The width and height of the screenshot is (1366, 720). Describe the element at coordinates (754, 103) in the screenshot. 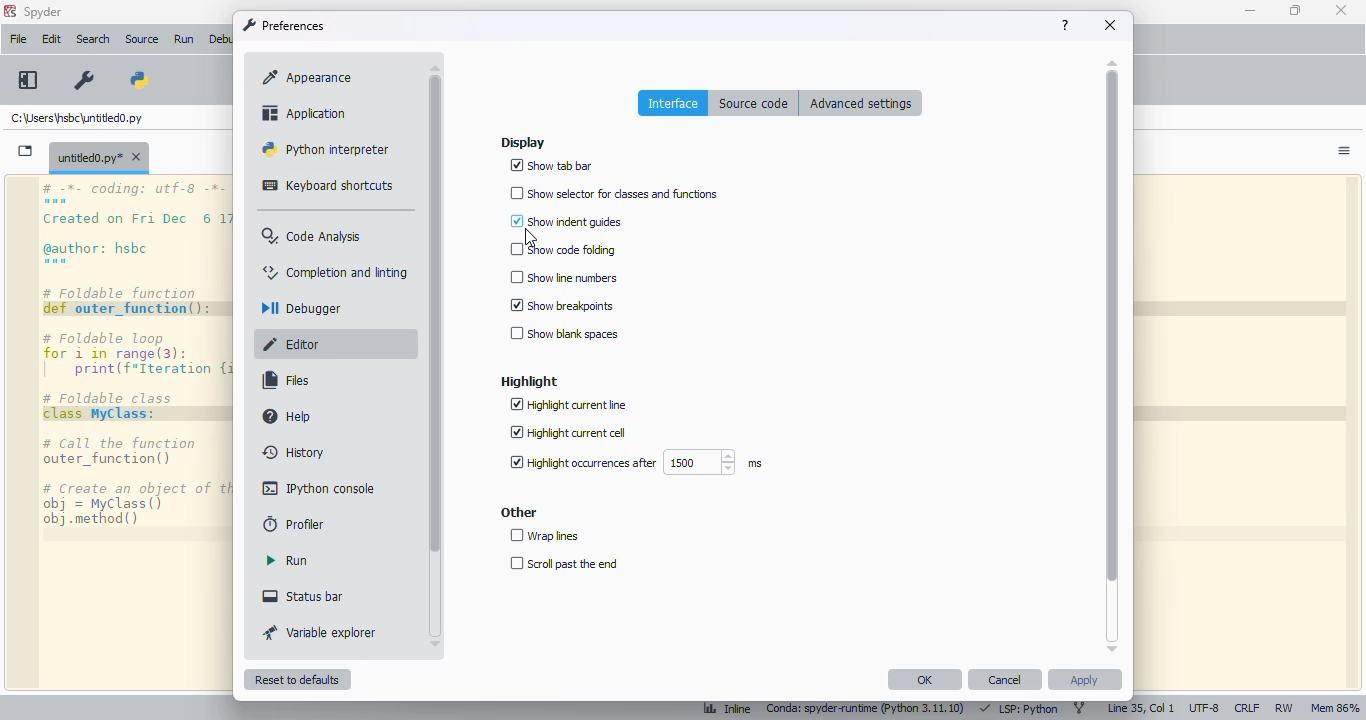

I see `source code` at that location.